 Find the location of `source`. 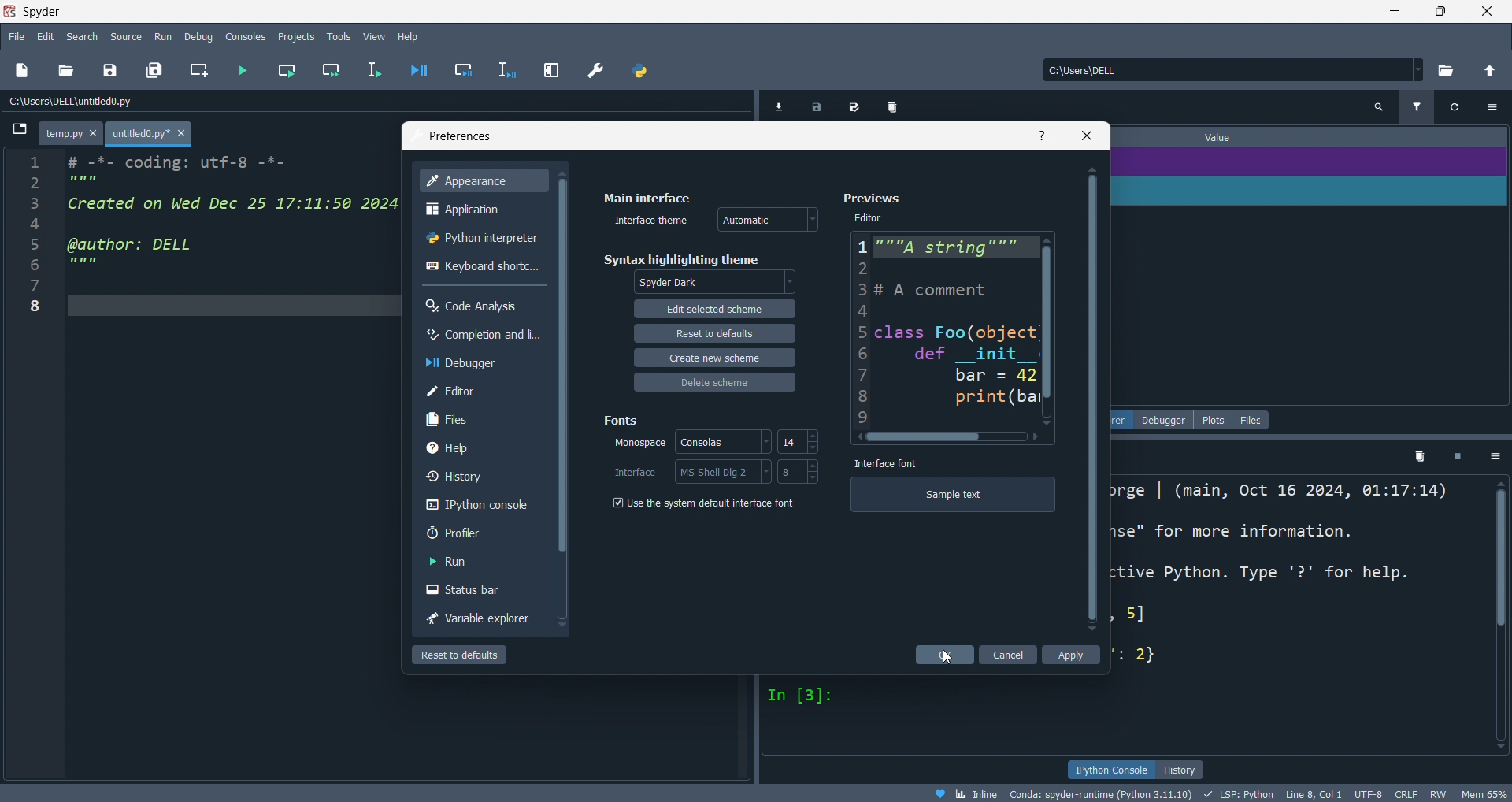

source is located at coordinates (126, 36).